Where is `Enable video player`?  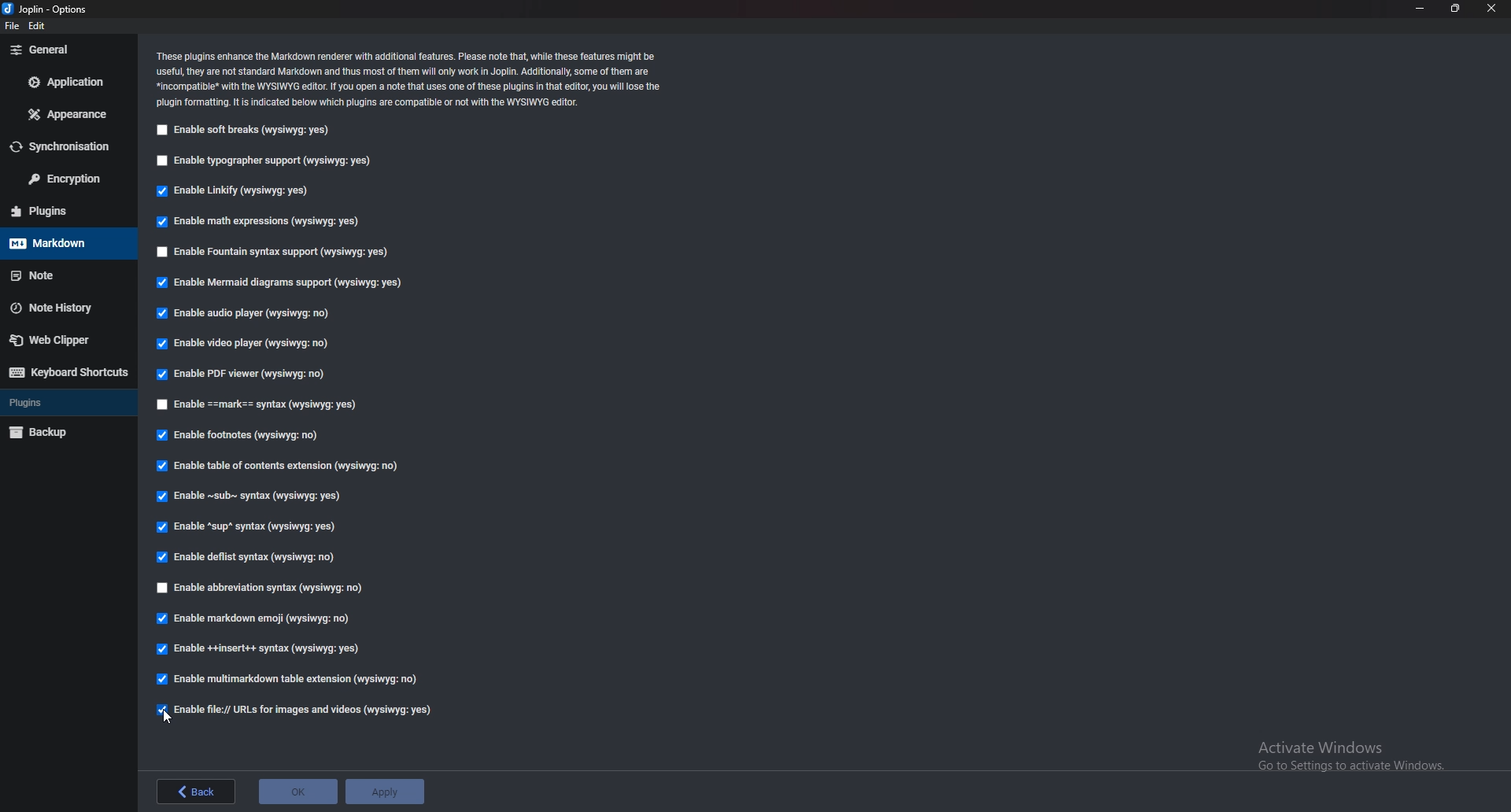 Enable video player is located at coordinates (244, 344).